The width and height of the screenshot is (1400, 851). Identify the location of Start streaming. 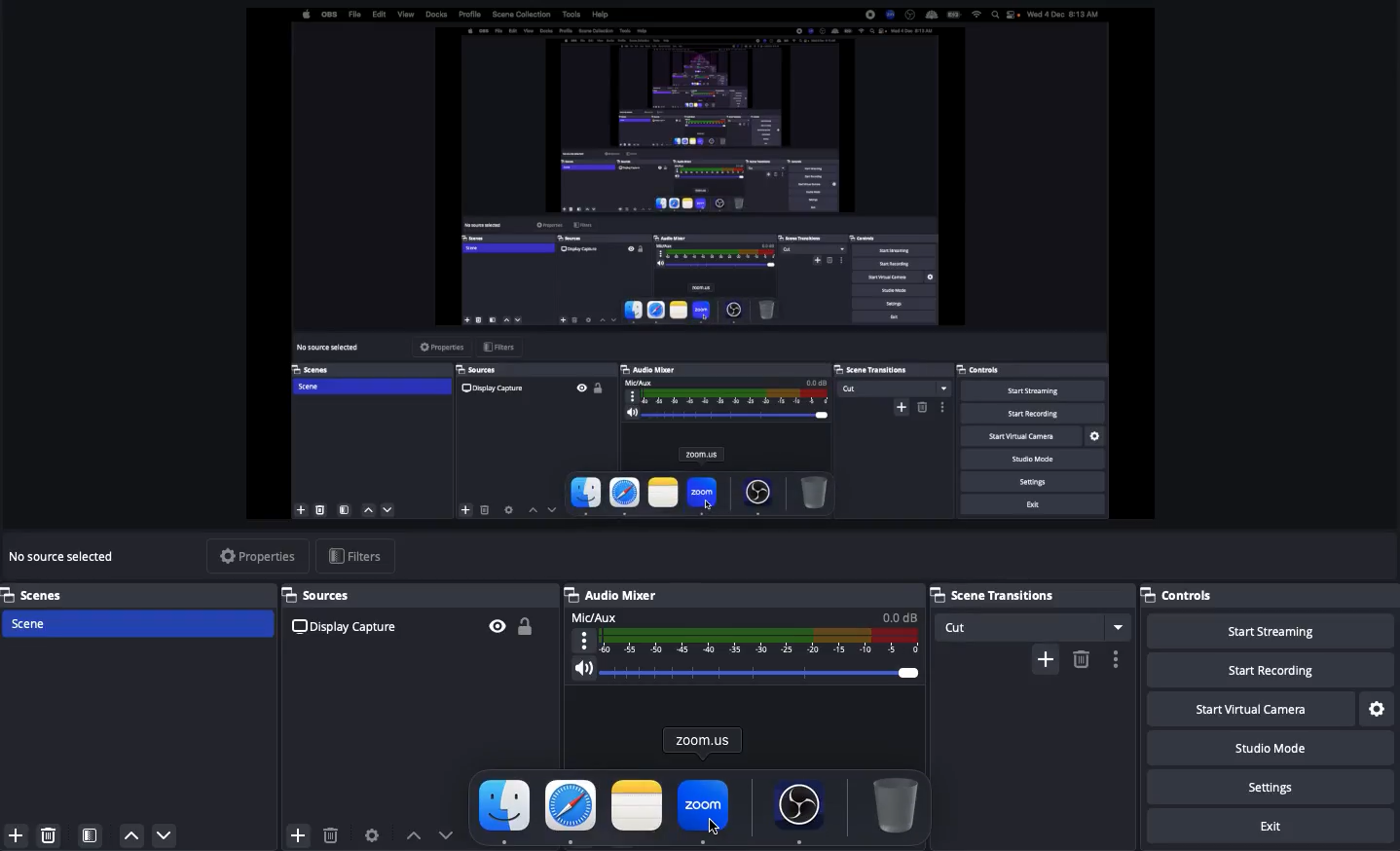
(1274, 632).